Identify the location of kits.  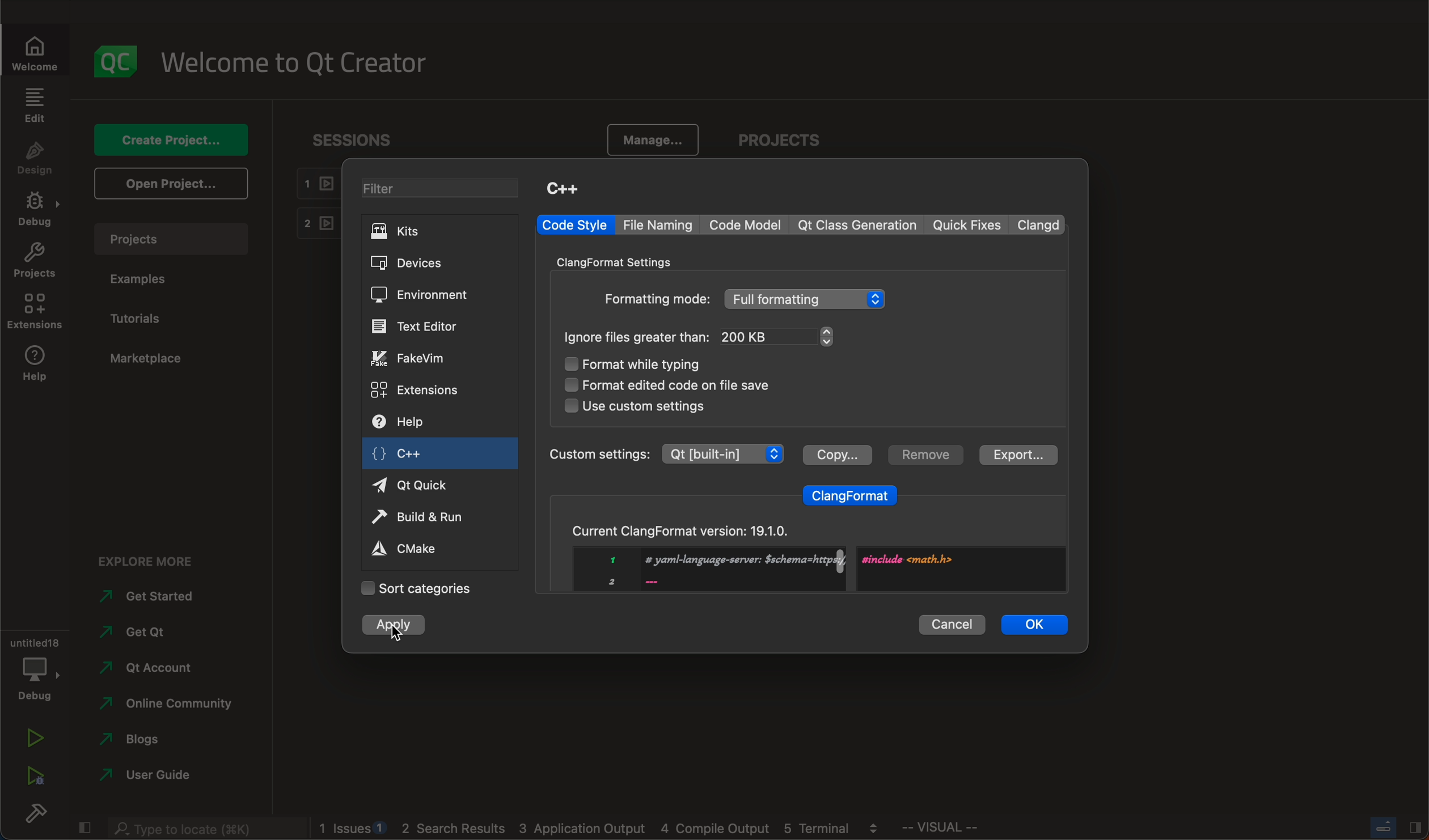
(438, 231).